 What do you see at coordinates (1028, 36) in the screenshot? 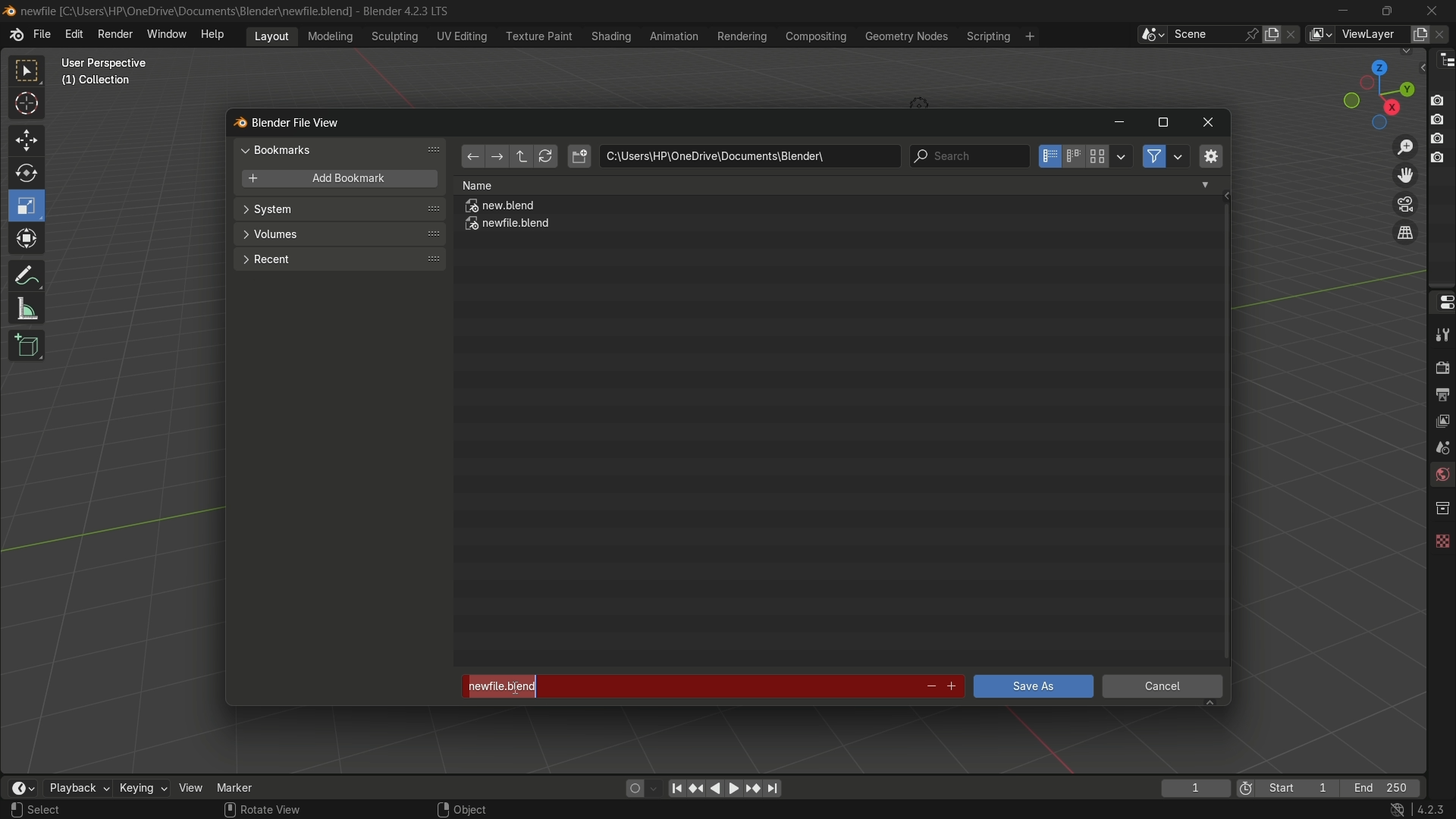
I see `add workspace` at bounding box center [1028, 36].